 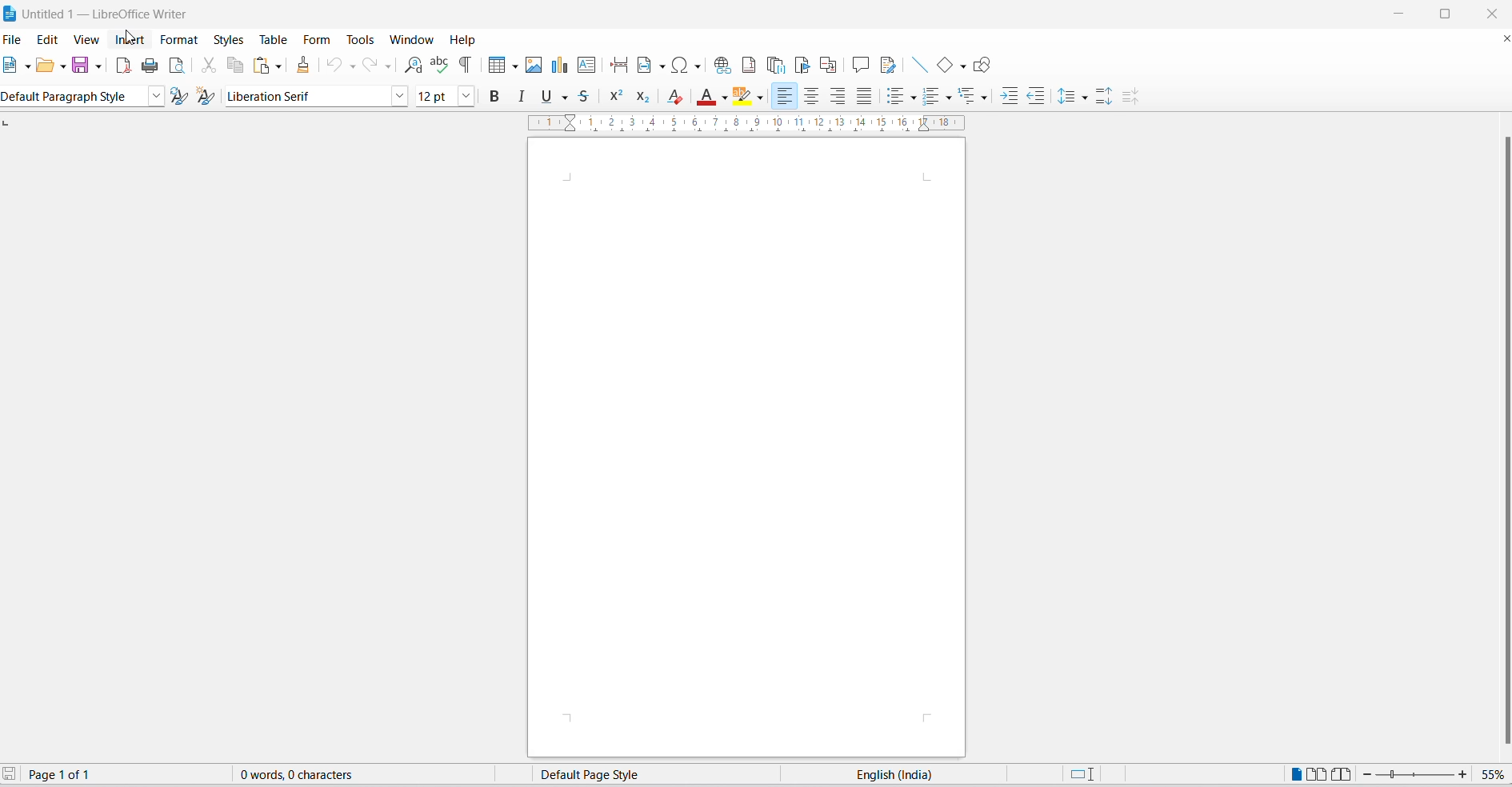 What do you see at coordinates (210, 66) in the screenshot?
I see `cut` at bounding box center [210, 66].